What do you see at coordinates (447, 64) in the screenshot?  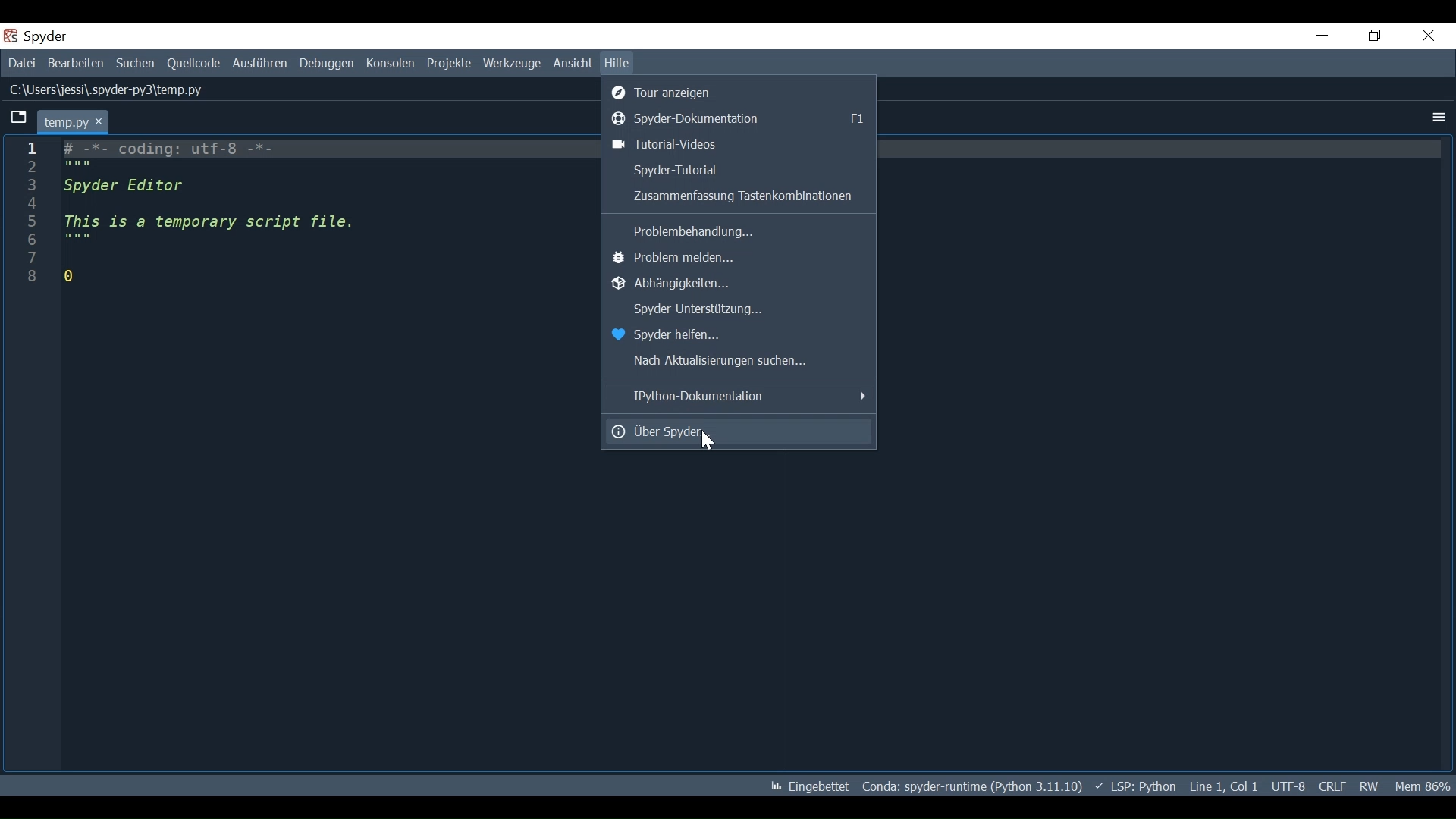 I see `Projects` at bounding box center [447, 64].